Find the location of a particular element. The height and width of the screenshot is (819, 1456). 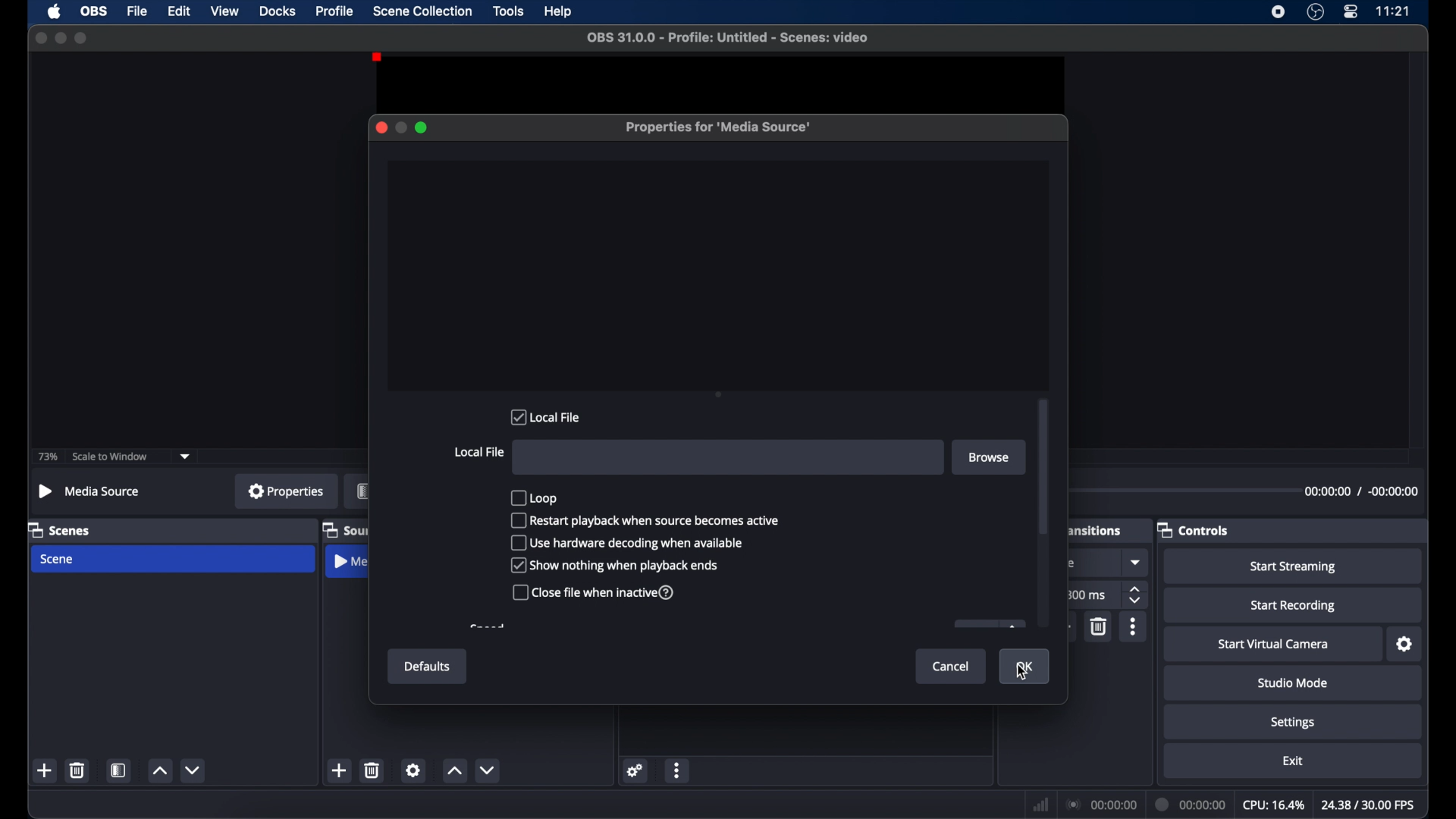

use hardware decoding when available is located at coordinates (626, 542).